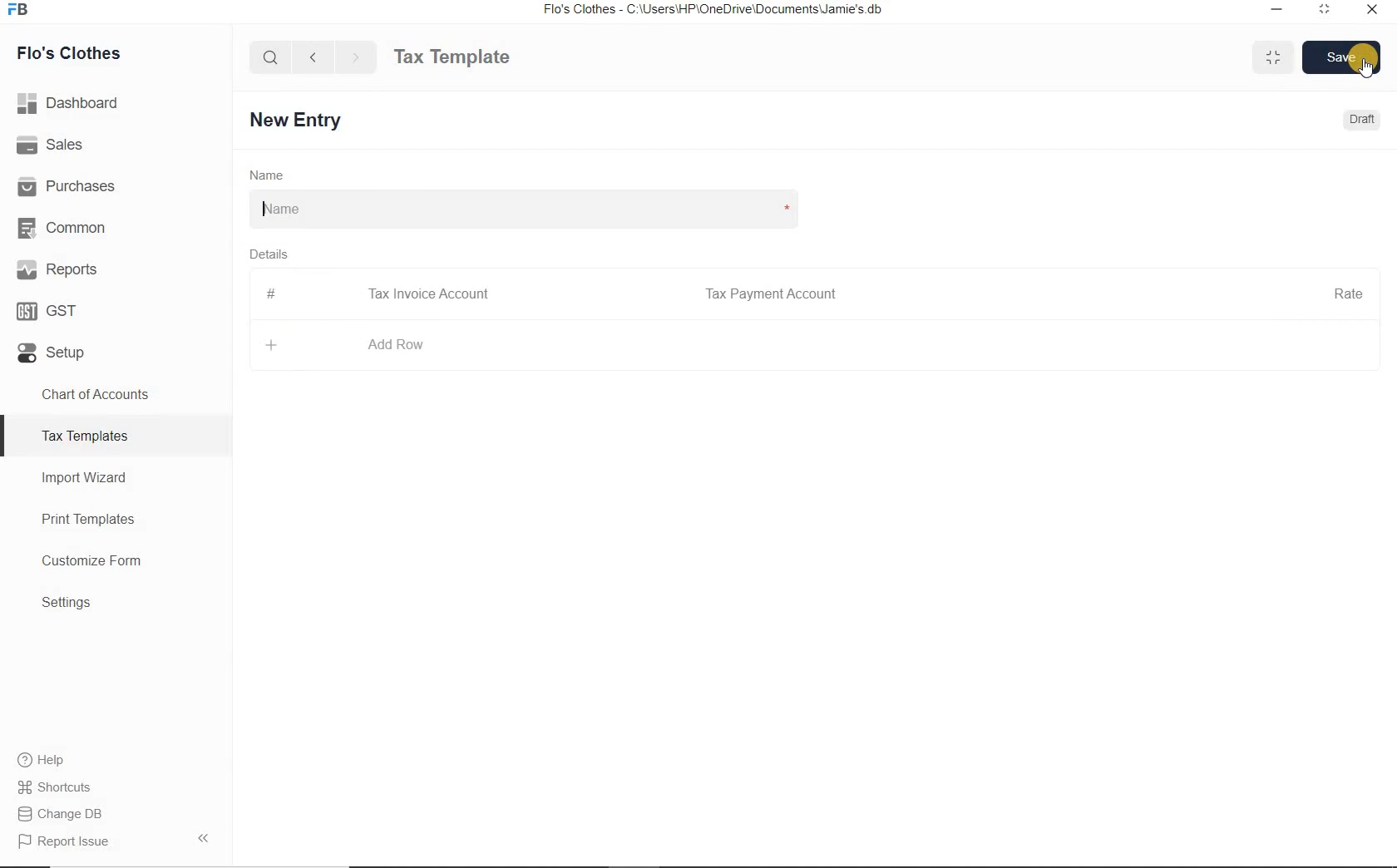 Image resolution: width=1397 pixels, height=868 pixels. I want to click on New Entry, so click(299, 121).